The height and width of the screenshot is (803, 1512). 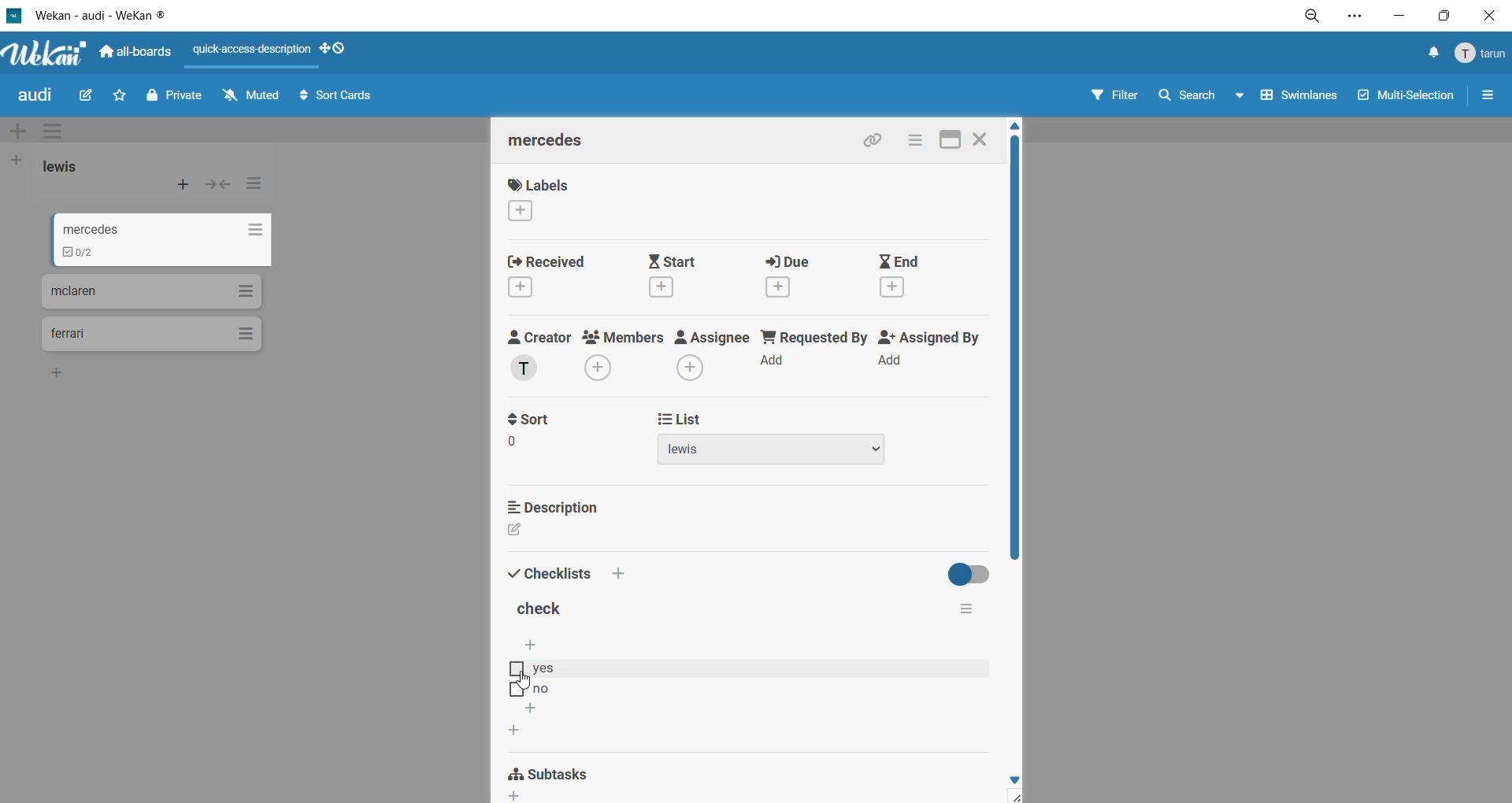 I want to click on vertical scroll bar, so click(x=1021, y=349).